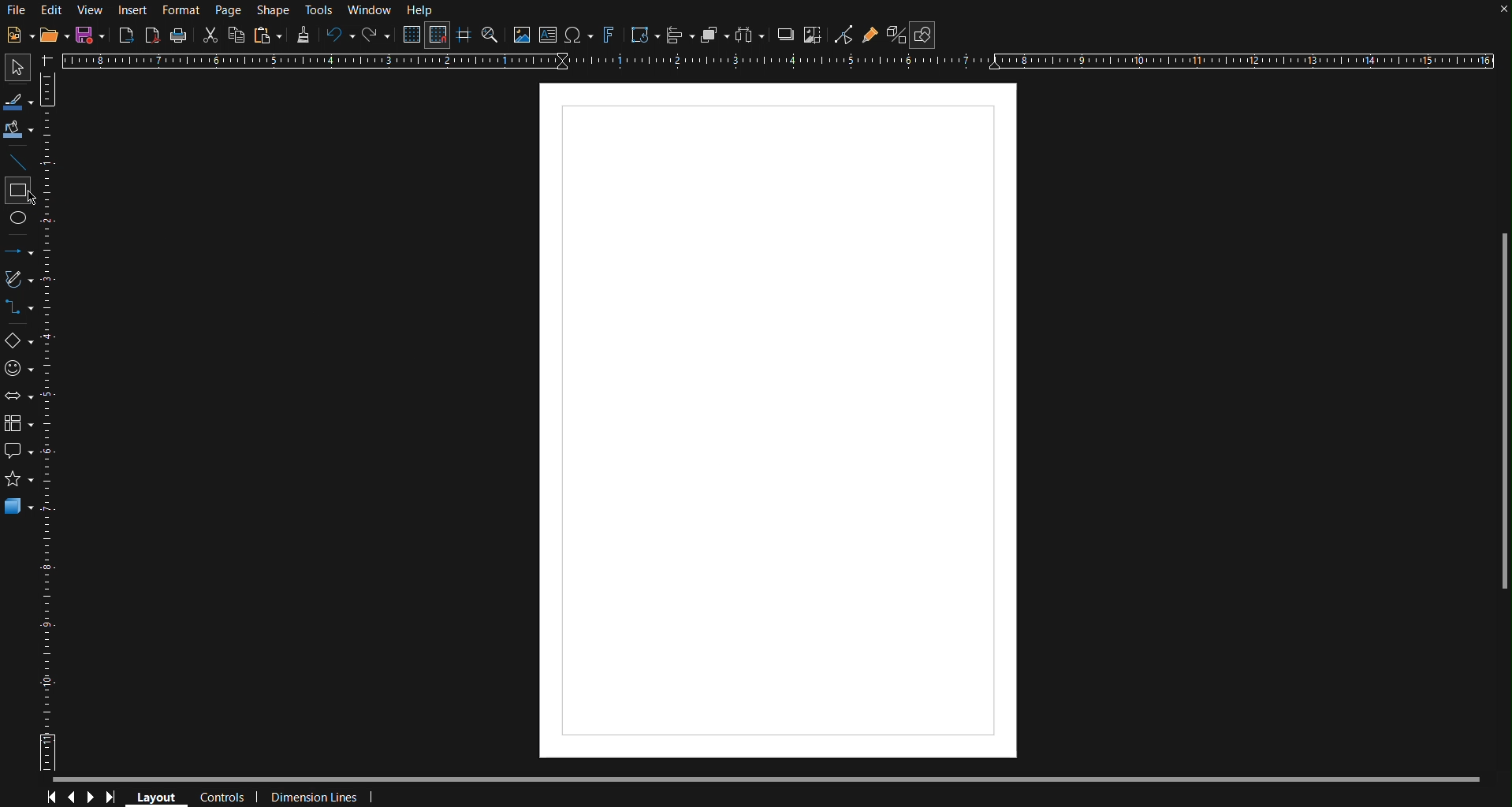  Describe the element at coordinates (321, 11) in the screenshot. I see `Tools` at that location.